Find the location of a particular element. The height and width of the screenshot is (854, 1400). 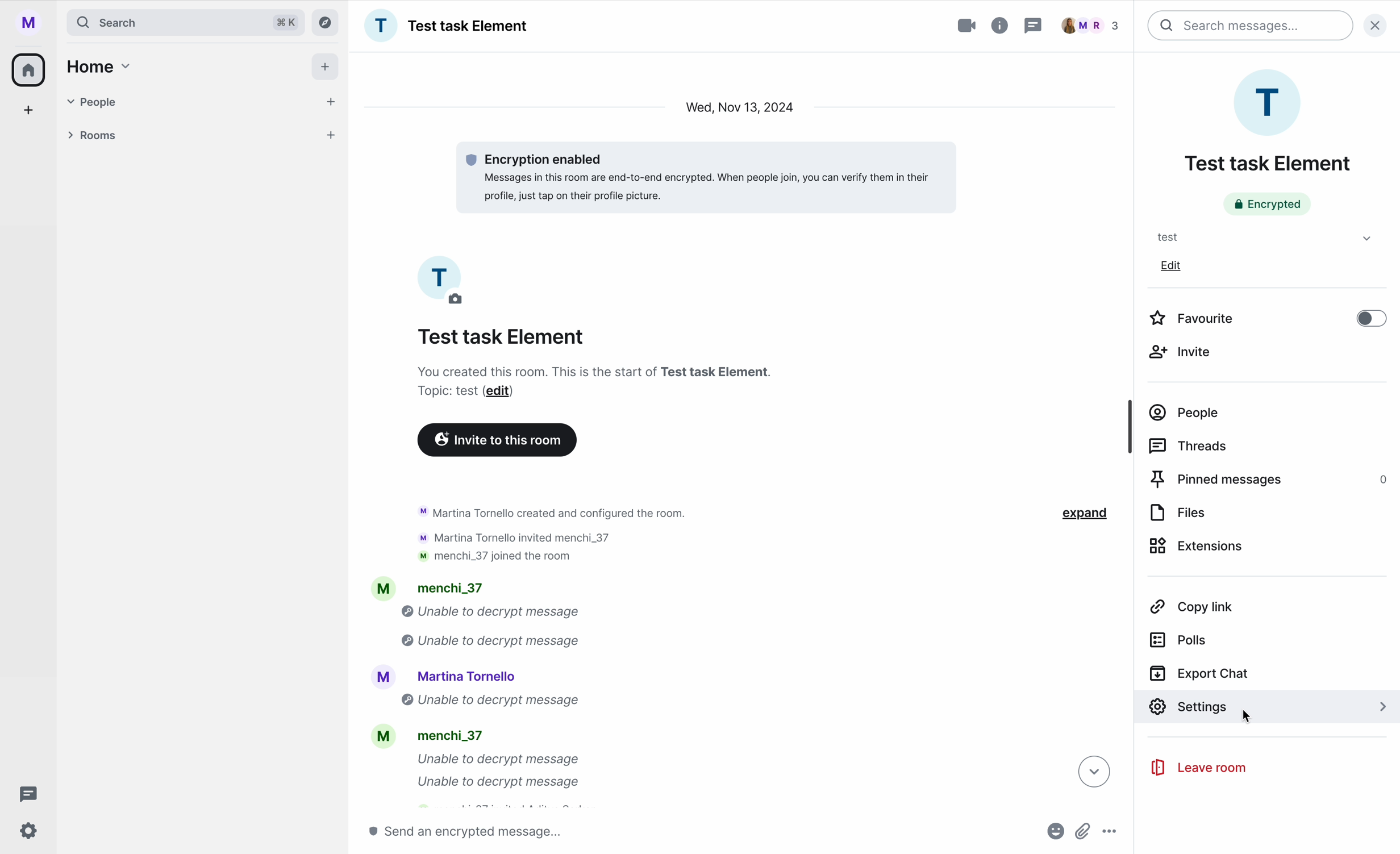

leave room is located at coordinates (1197, 768).